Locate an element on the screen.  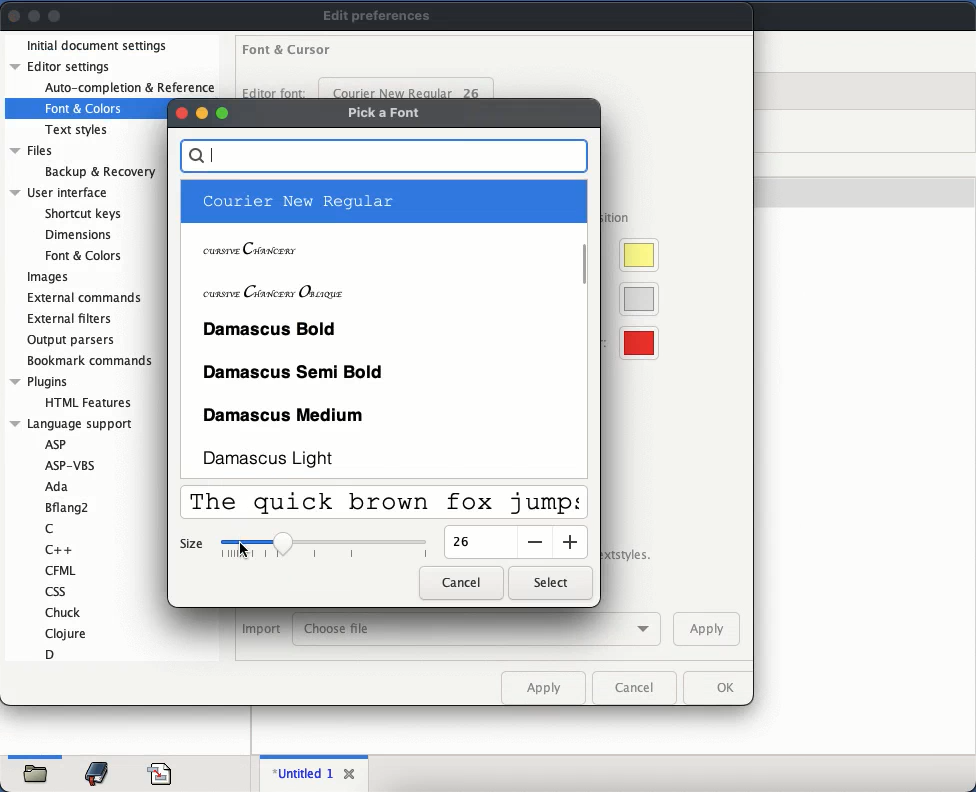
initial document settings is located at coordinates (98, 45).